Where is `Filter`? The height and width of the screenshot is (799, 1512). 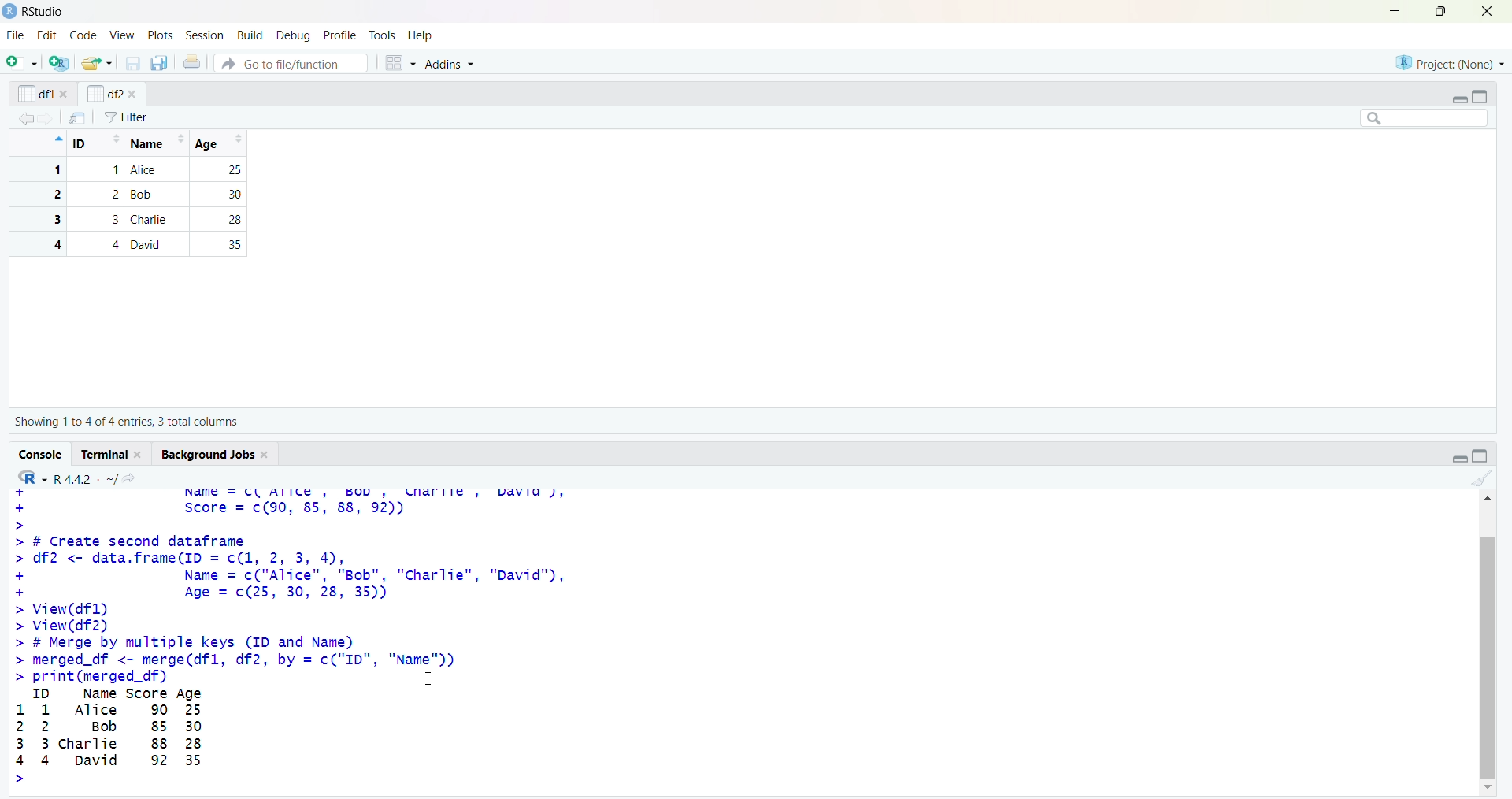
Filter is located at coordinates (126, 117).